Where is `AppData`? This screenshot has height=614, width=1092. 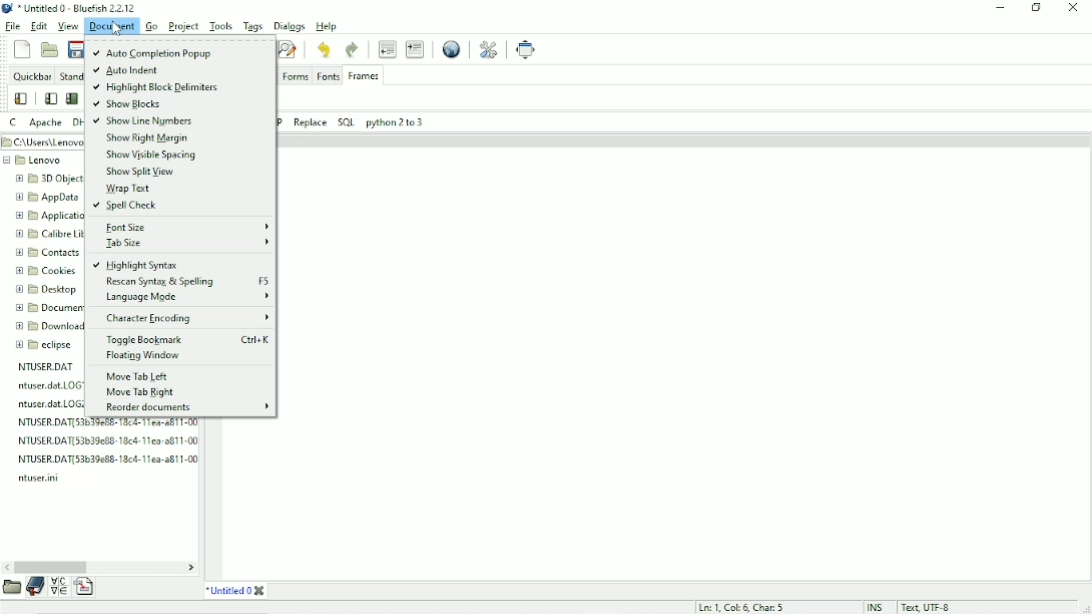
AppData is located at coordinates (47, 198).